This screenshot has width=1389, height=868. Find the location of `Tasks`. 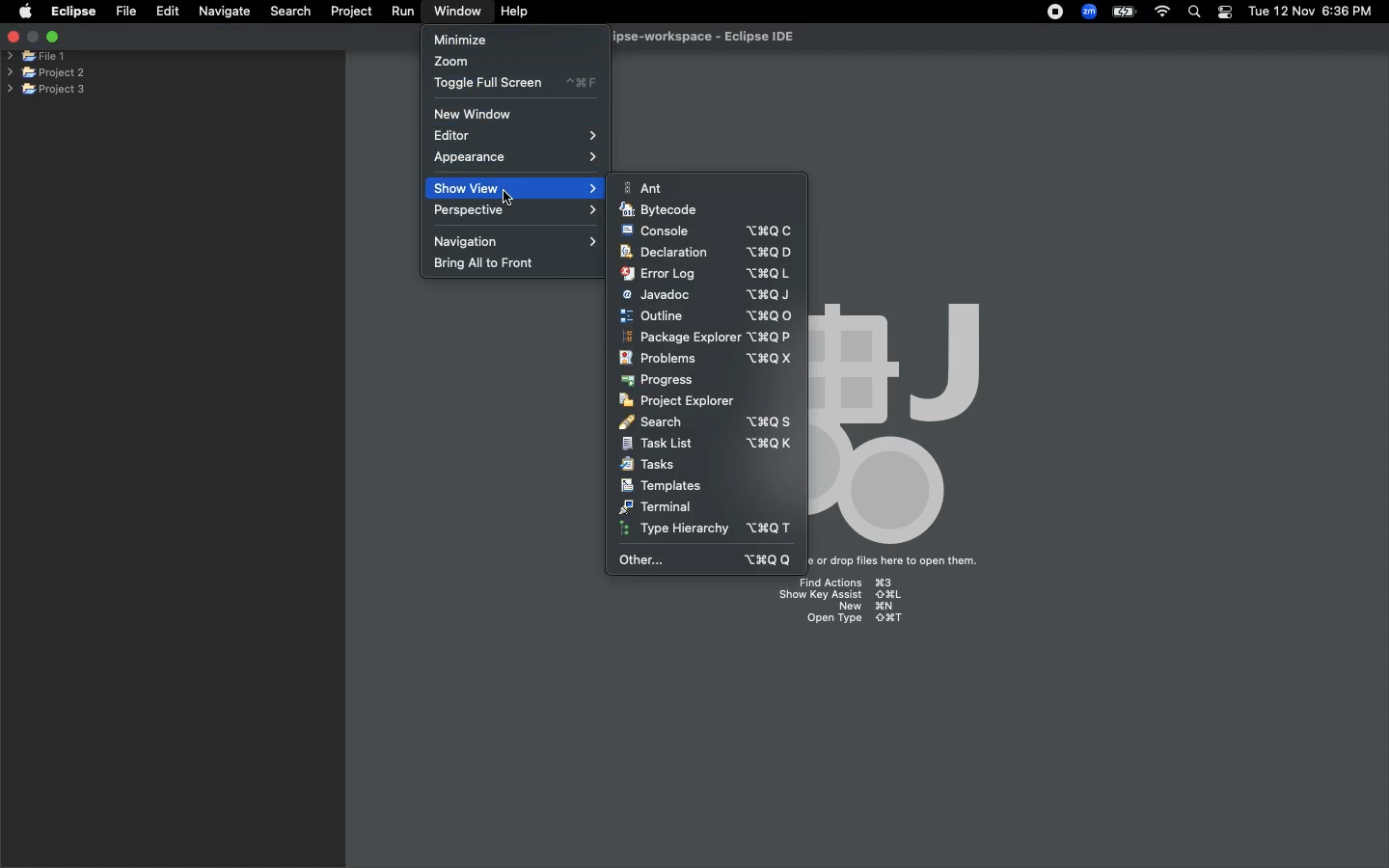

Tasks is located at coordinates (650, 465).